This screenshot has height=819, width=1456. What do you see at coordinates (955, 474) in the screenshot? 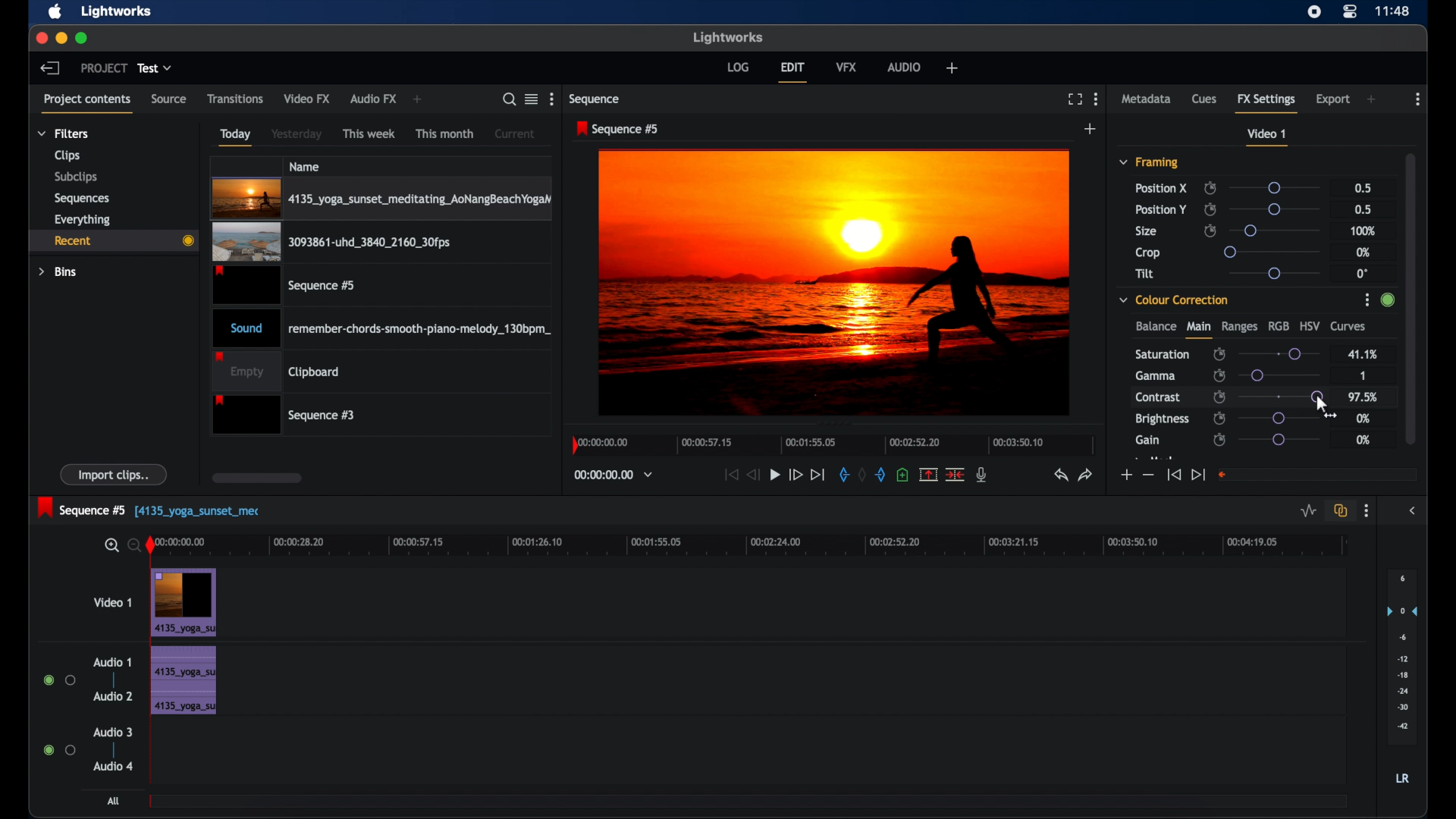
I see `cut` at bounding box center [955, 474].